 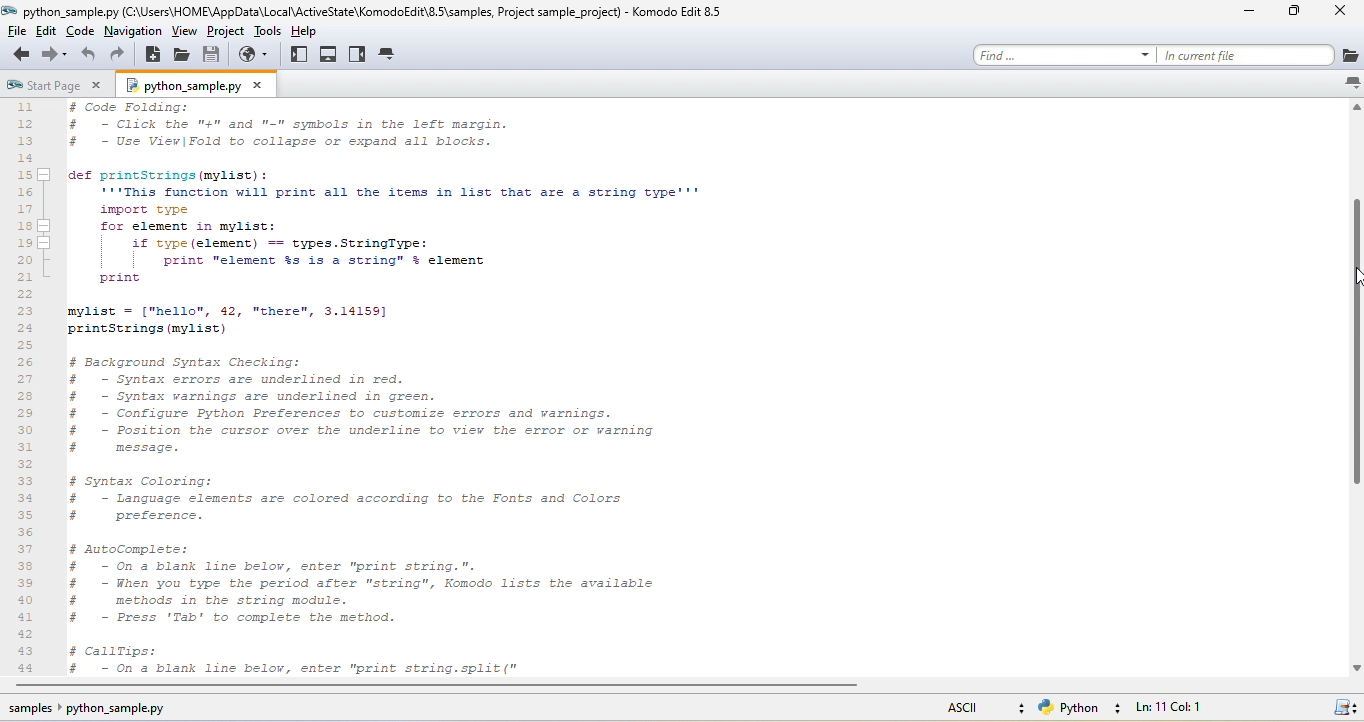 I want to click on scroll up, so click(x=1355, y=107).